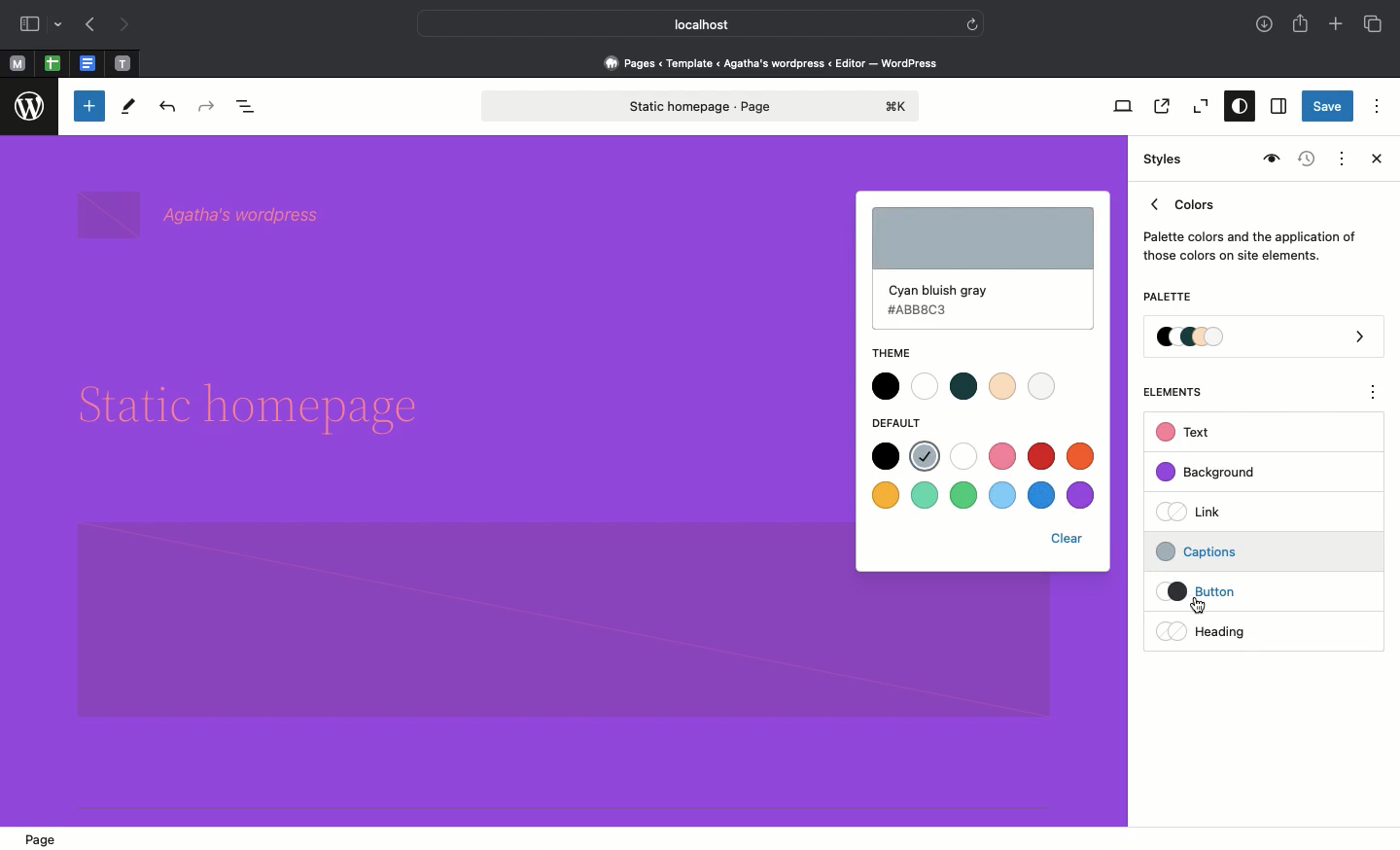 Image resolution: width=1400 pixels, height=850 pixels. Describe the element at coordinates (1373, 160) in the screenshot. I see `Close` at that location.